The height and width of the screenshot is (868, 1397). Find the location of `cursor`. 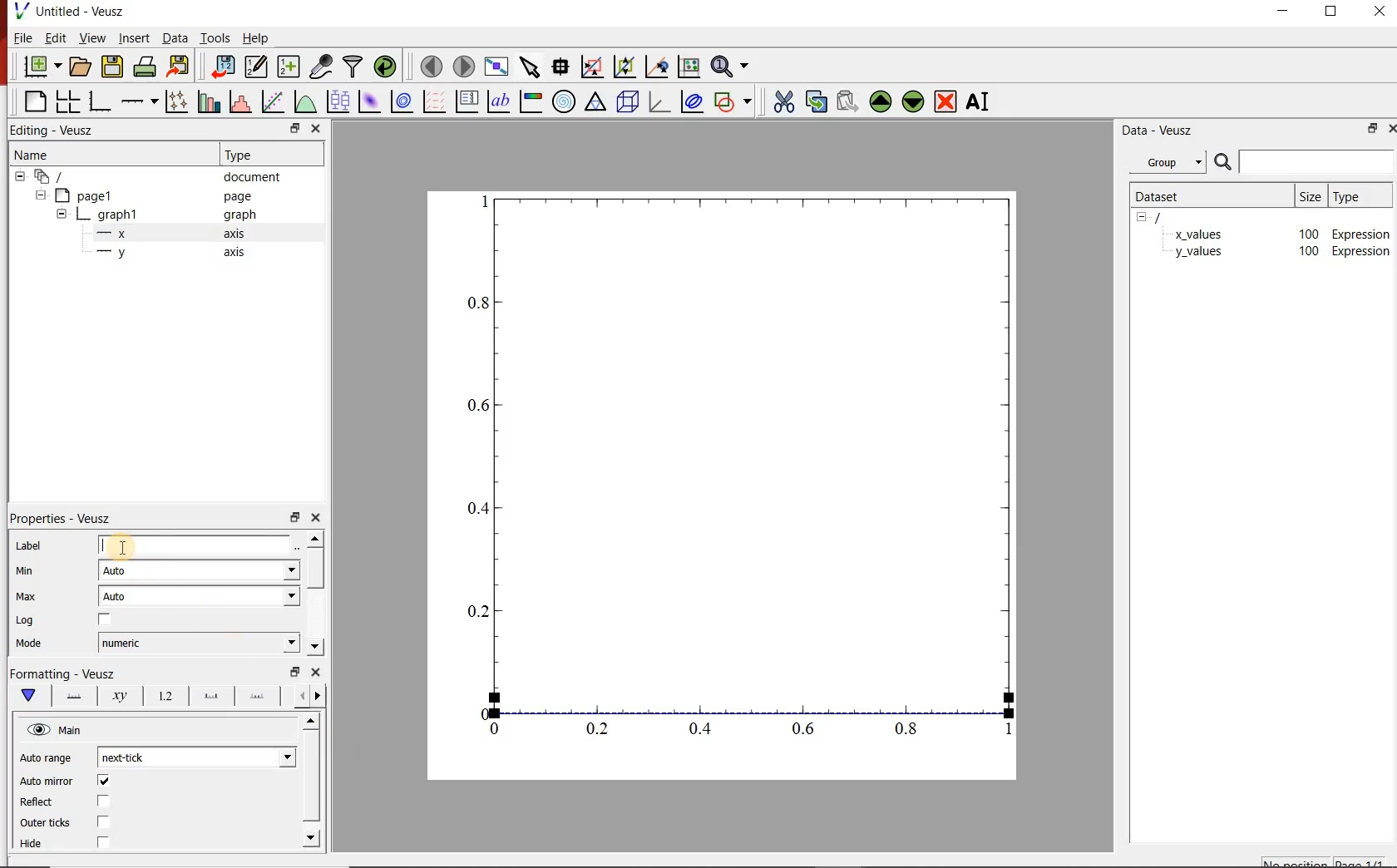

cursor is located at coordinates (126, 547).